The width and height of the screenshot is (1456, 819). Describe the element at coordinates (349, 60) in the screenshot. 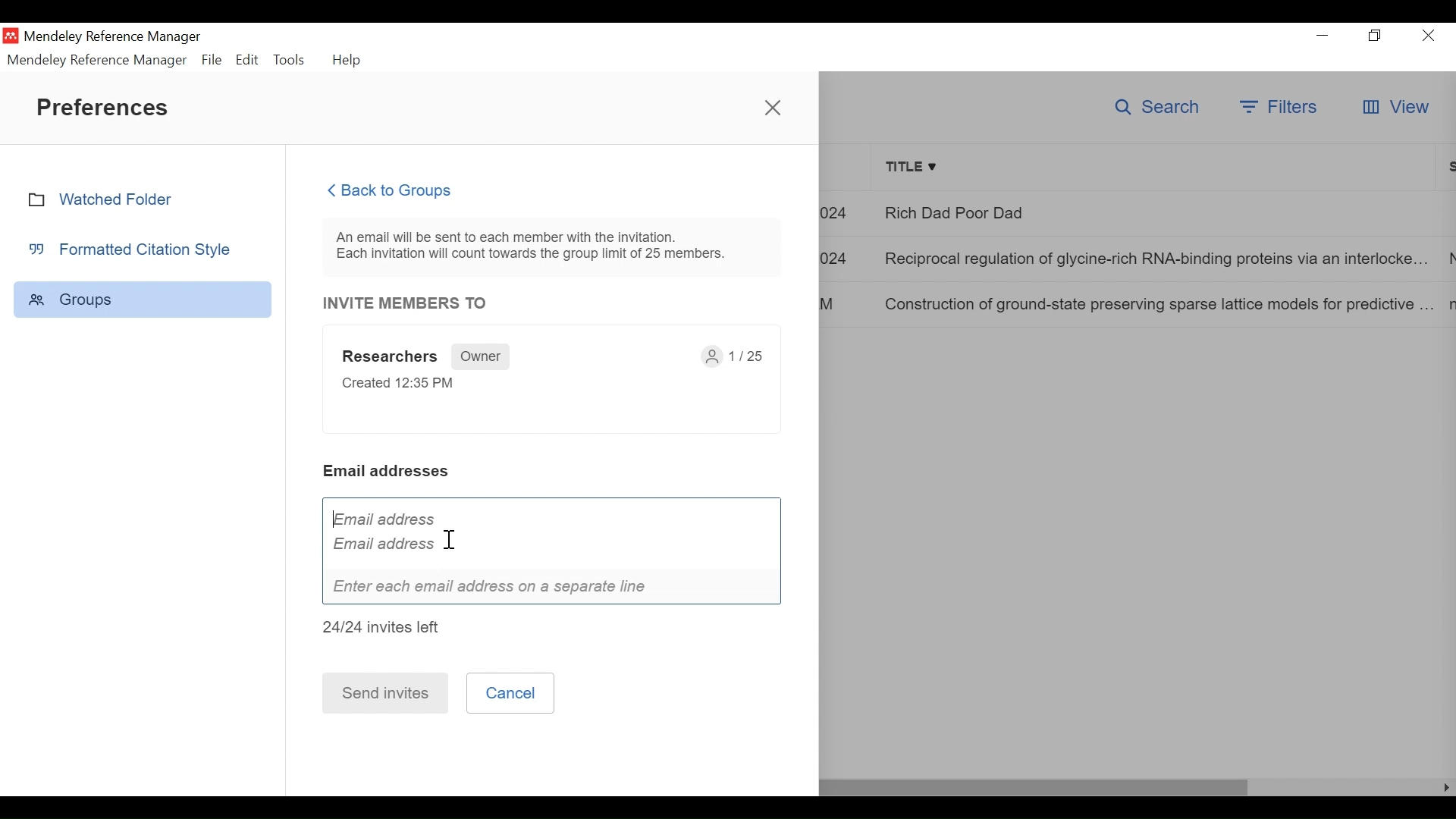

I see `Help` at that location.